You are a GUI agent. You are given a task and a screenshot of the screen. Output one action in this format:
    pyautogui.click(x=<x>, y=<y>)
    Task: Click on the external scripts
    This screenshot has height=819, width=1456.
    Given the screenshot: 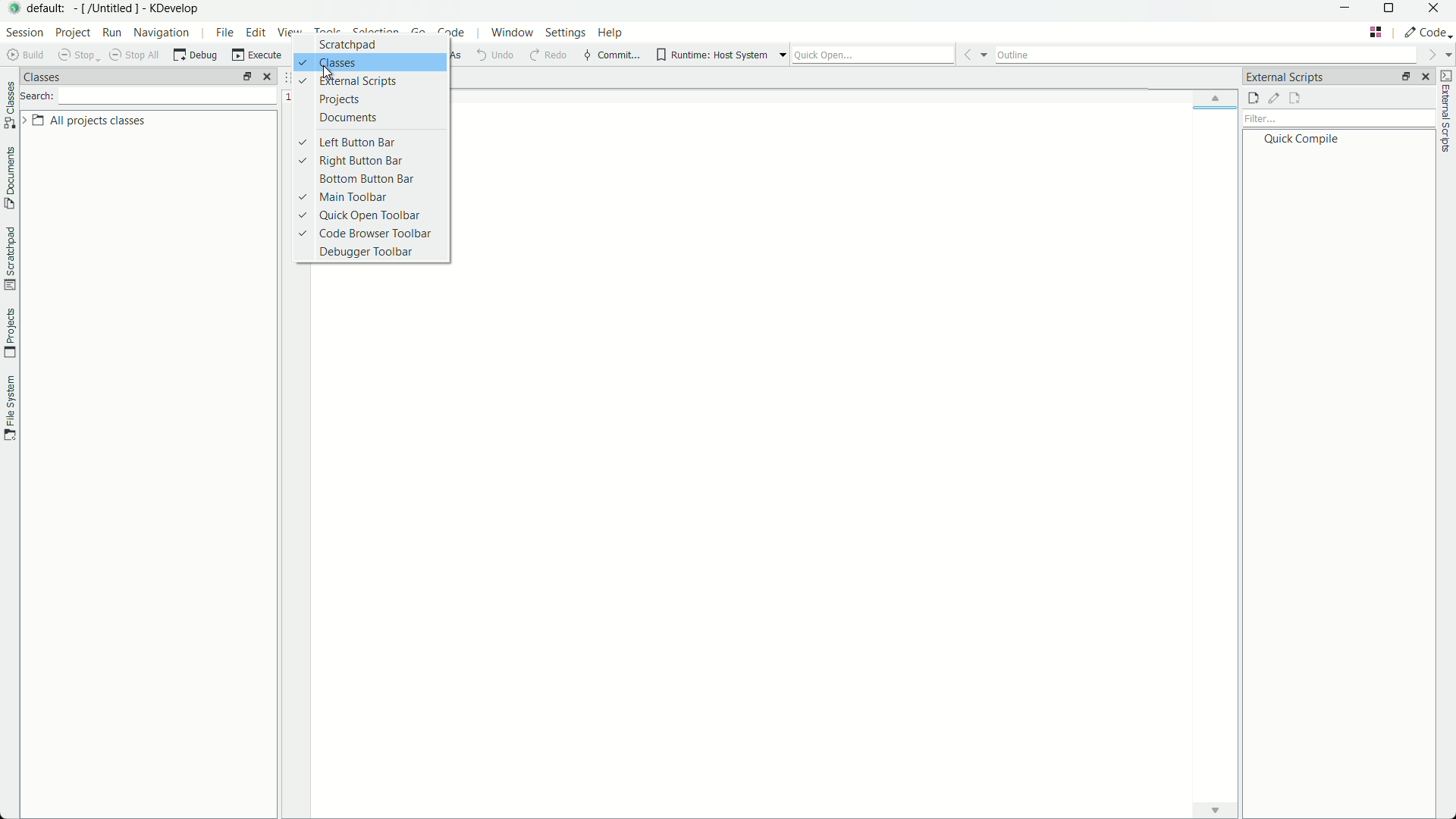 What is the action you would take?
    pyautogui.click(x=1285, y=78)
    